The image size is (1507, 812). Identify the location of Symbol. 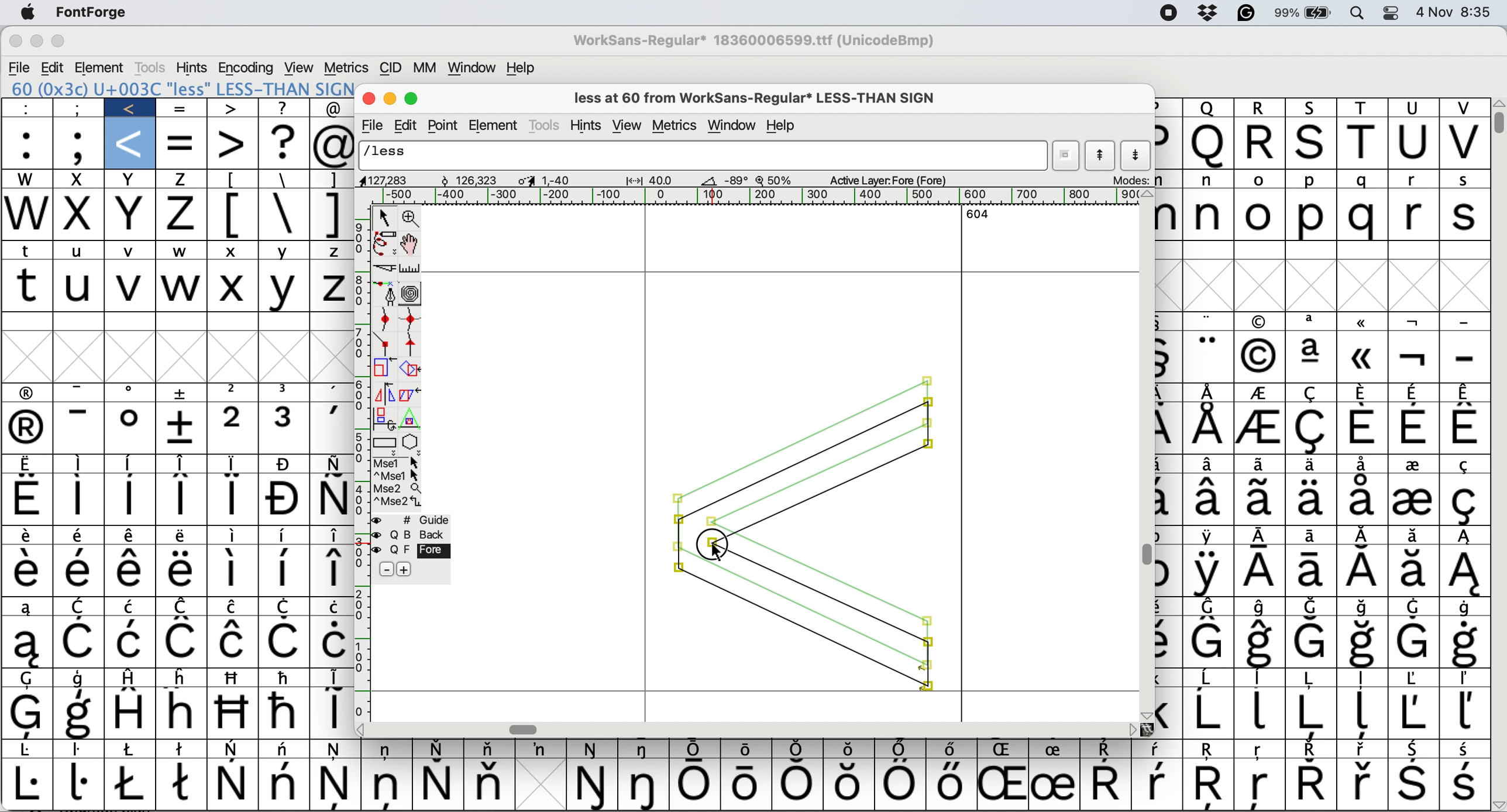
(1210, 573).